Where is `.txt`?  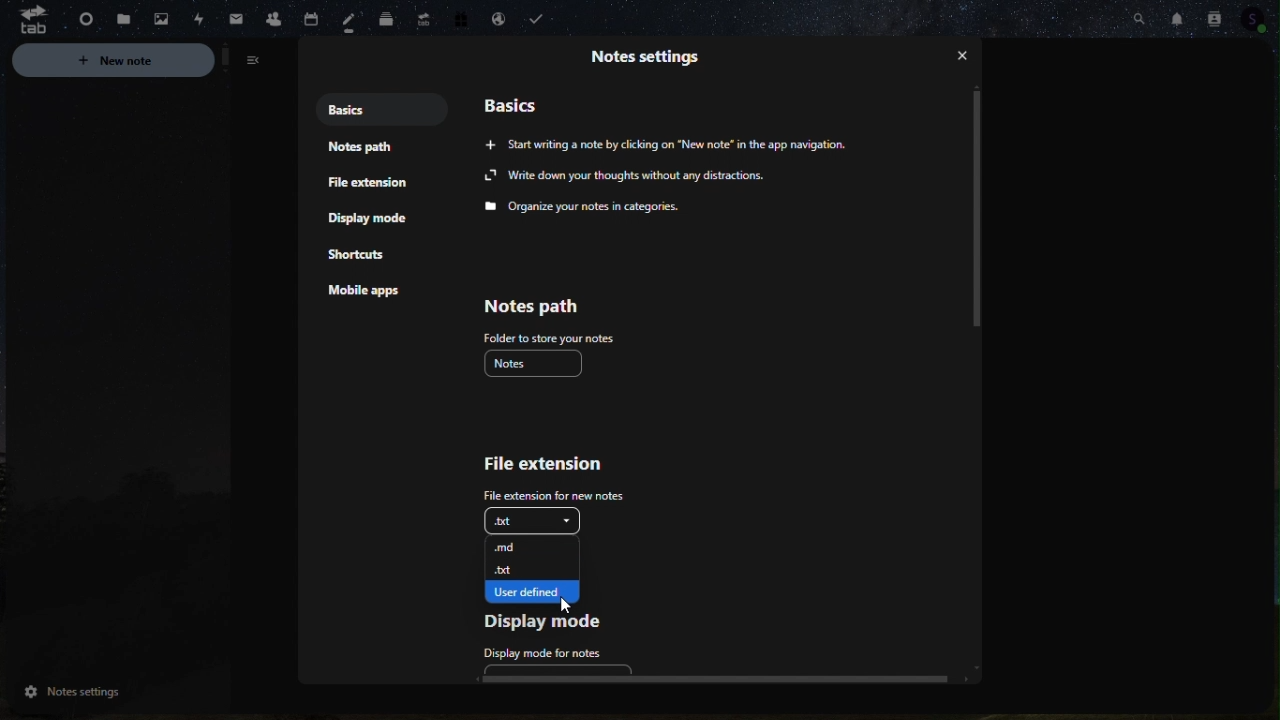
.txt is located at coordinates (534, 519).